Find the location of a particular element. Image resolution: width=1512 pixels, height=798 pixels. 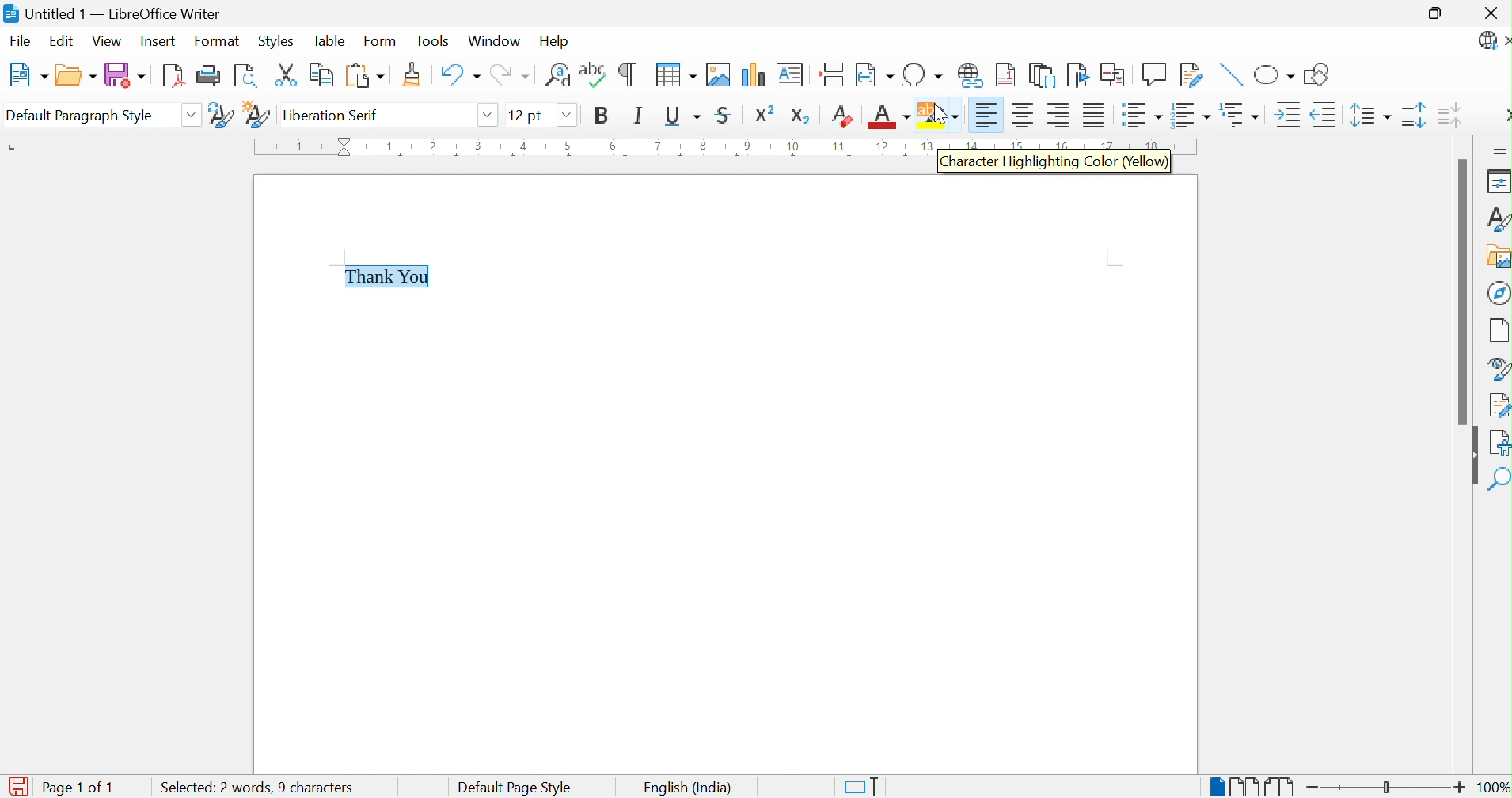

Multiple-page View is located at coordinates (1244, 785).